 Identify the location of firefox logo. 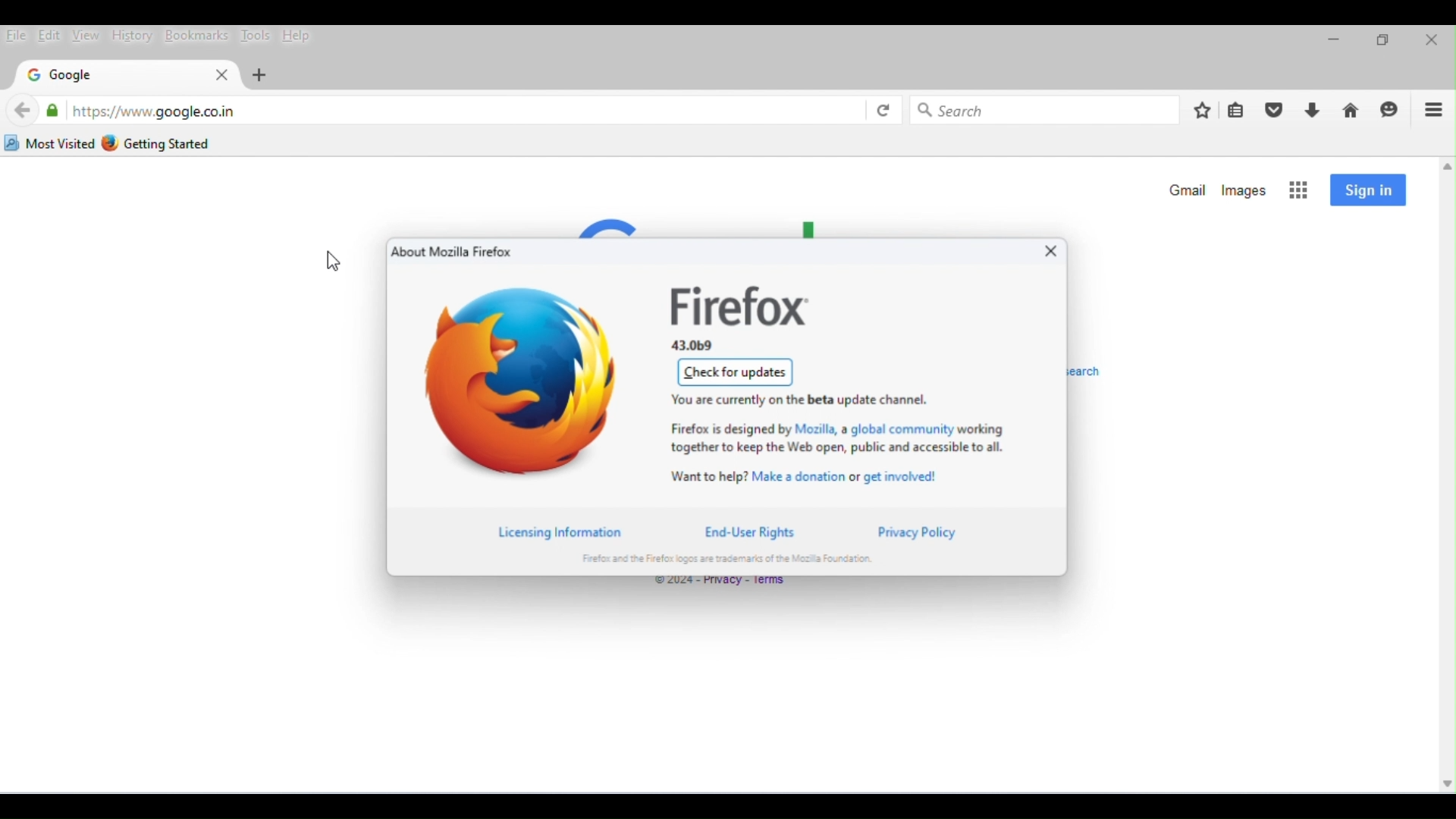
(523, 382).